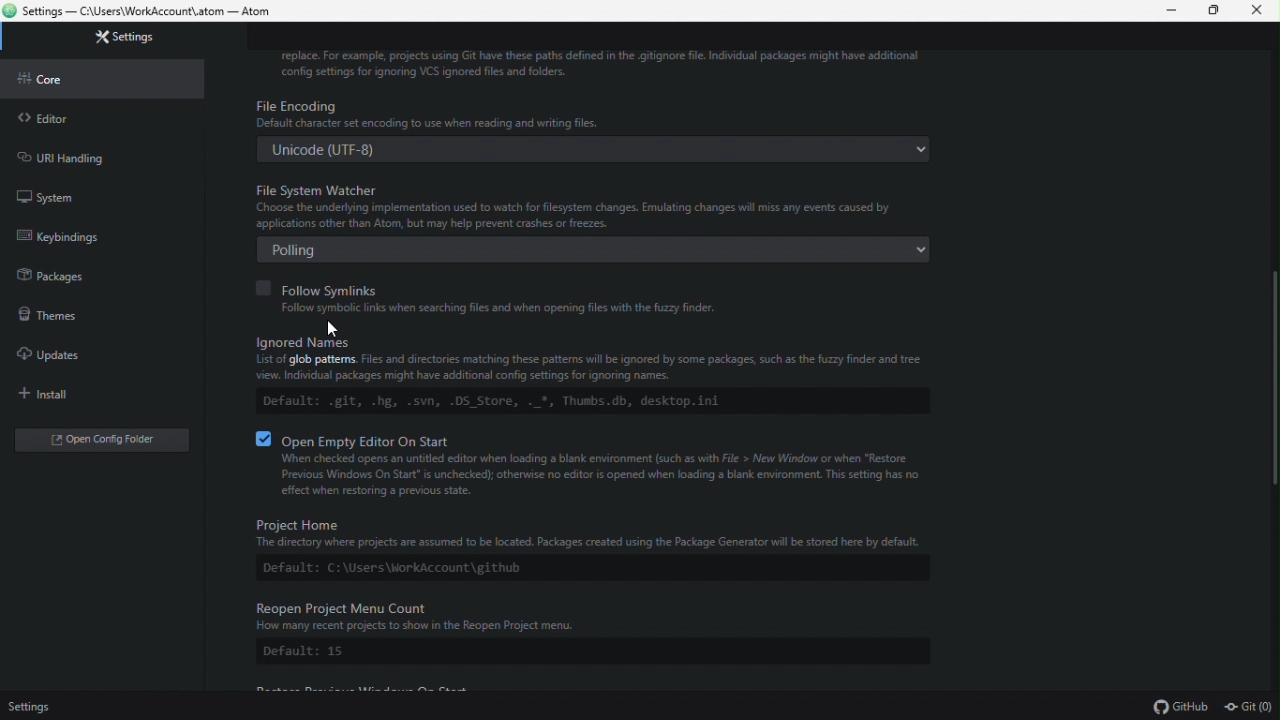 The width and height of the screenshot is (1280, 720). What do you see at coordinates (123, 39) in the screenshot?
I see `settings` at bounding box center [123, 39].